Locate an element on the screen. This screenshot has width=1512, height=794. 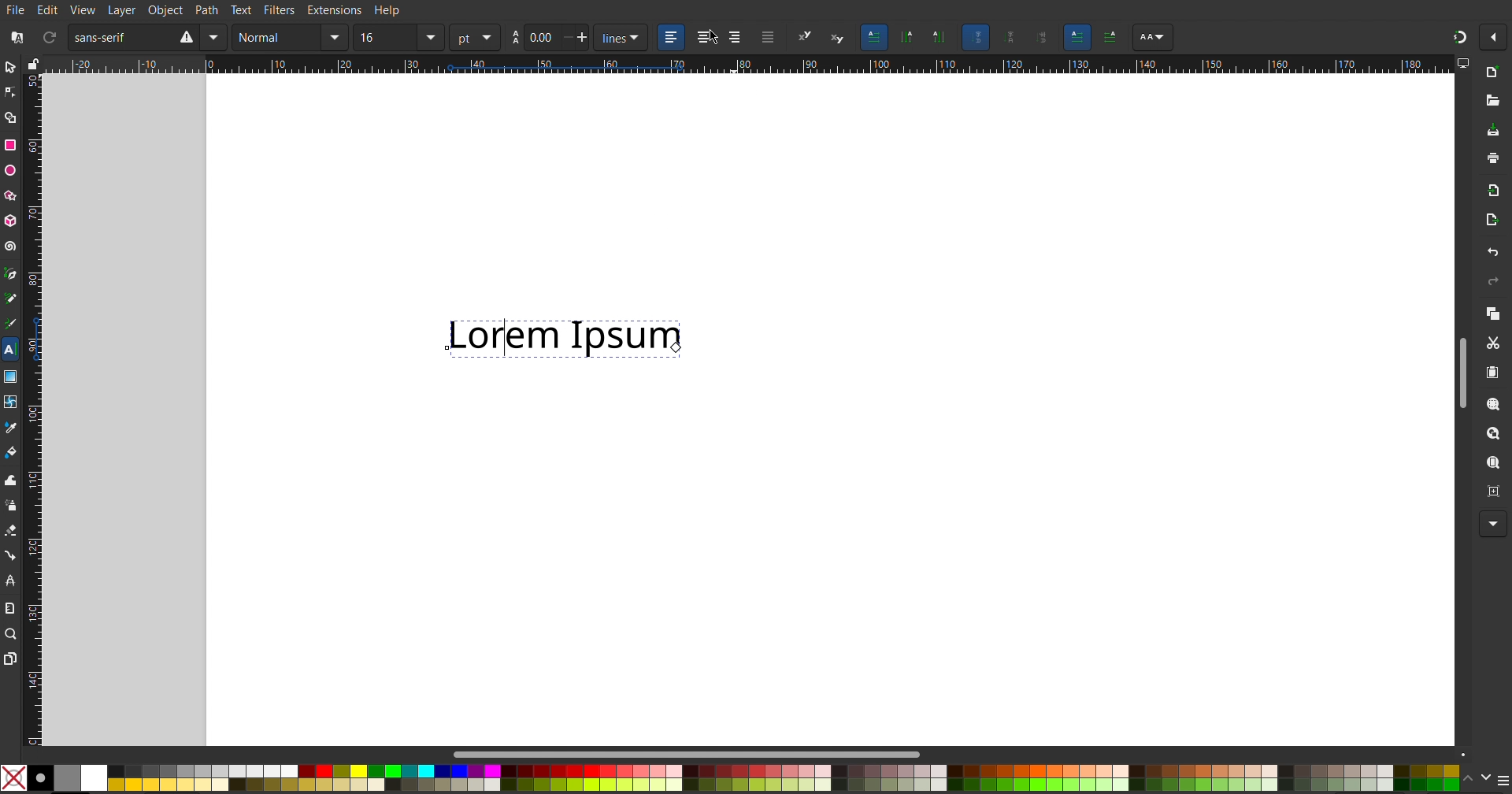
Pages is located at coordinates (10, 659).